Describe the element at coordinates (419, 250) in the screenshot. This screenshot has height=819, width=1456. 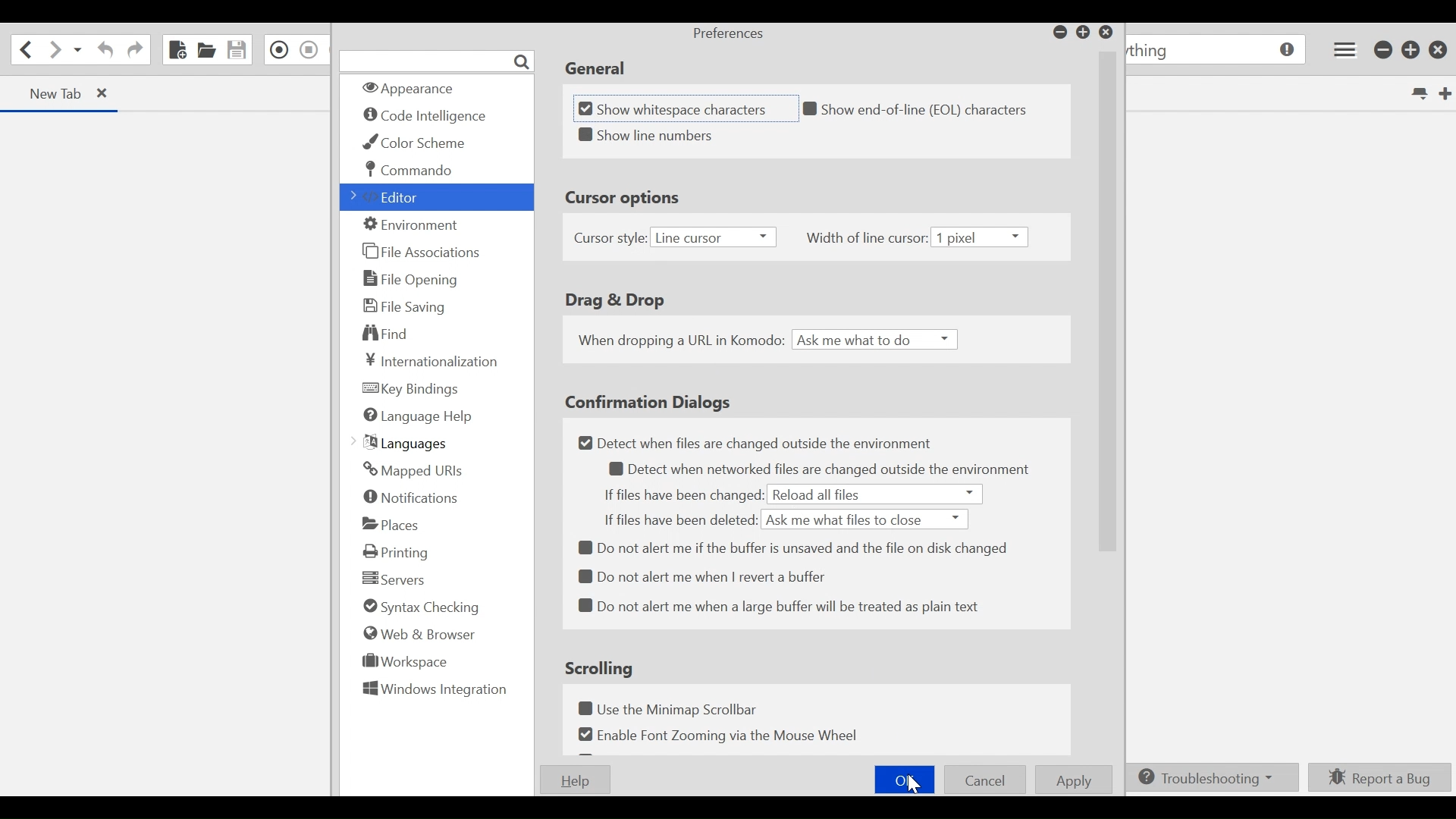
I see `File Association` at that location.